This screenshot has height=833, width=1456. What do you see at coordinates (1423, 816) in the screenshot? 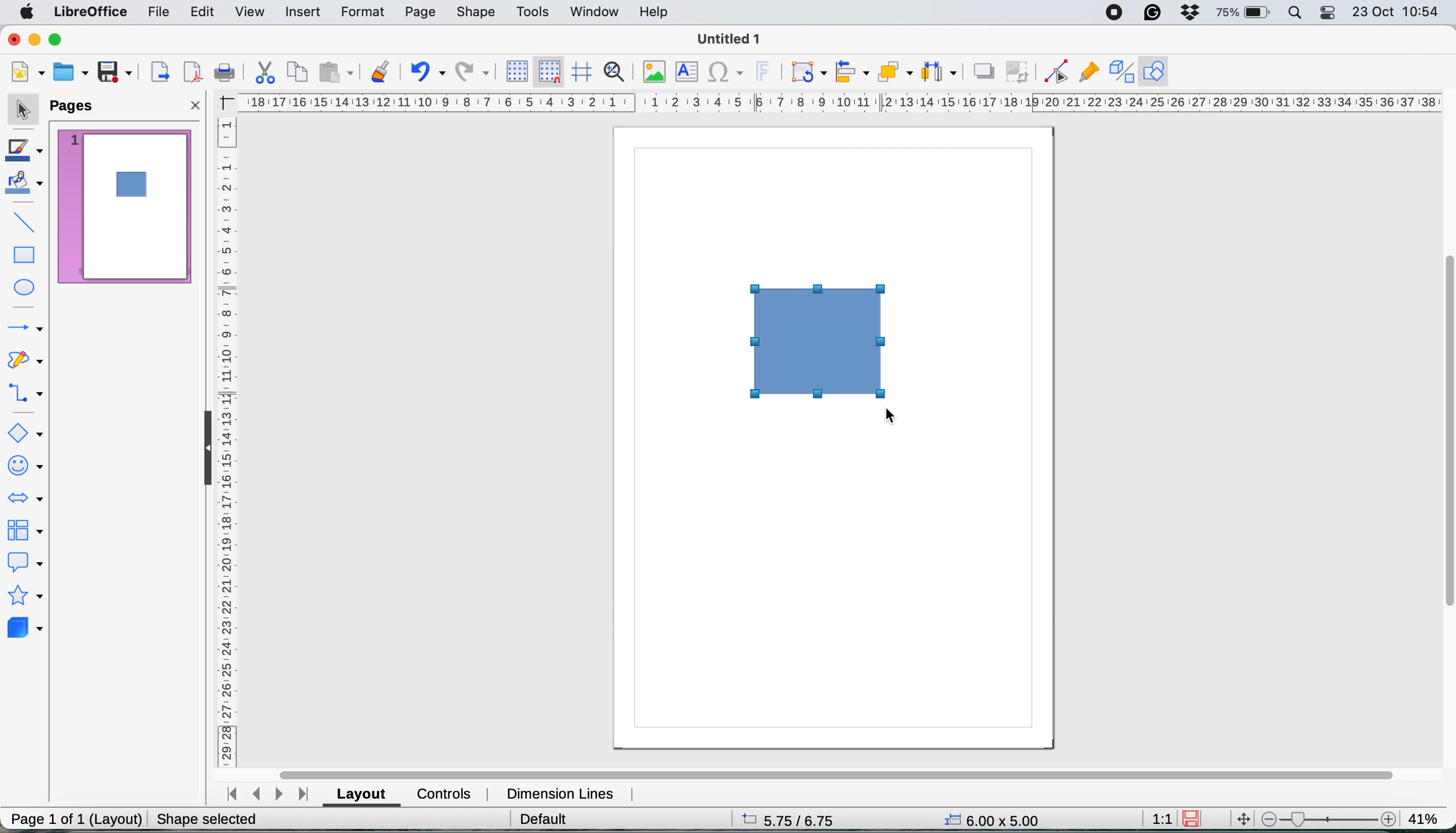
I see `41%` at bounding box center [1423, 816].